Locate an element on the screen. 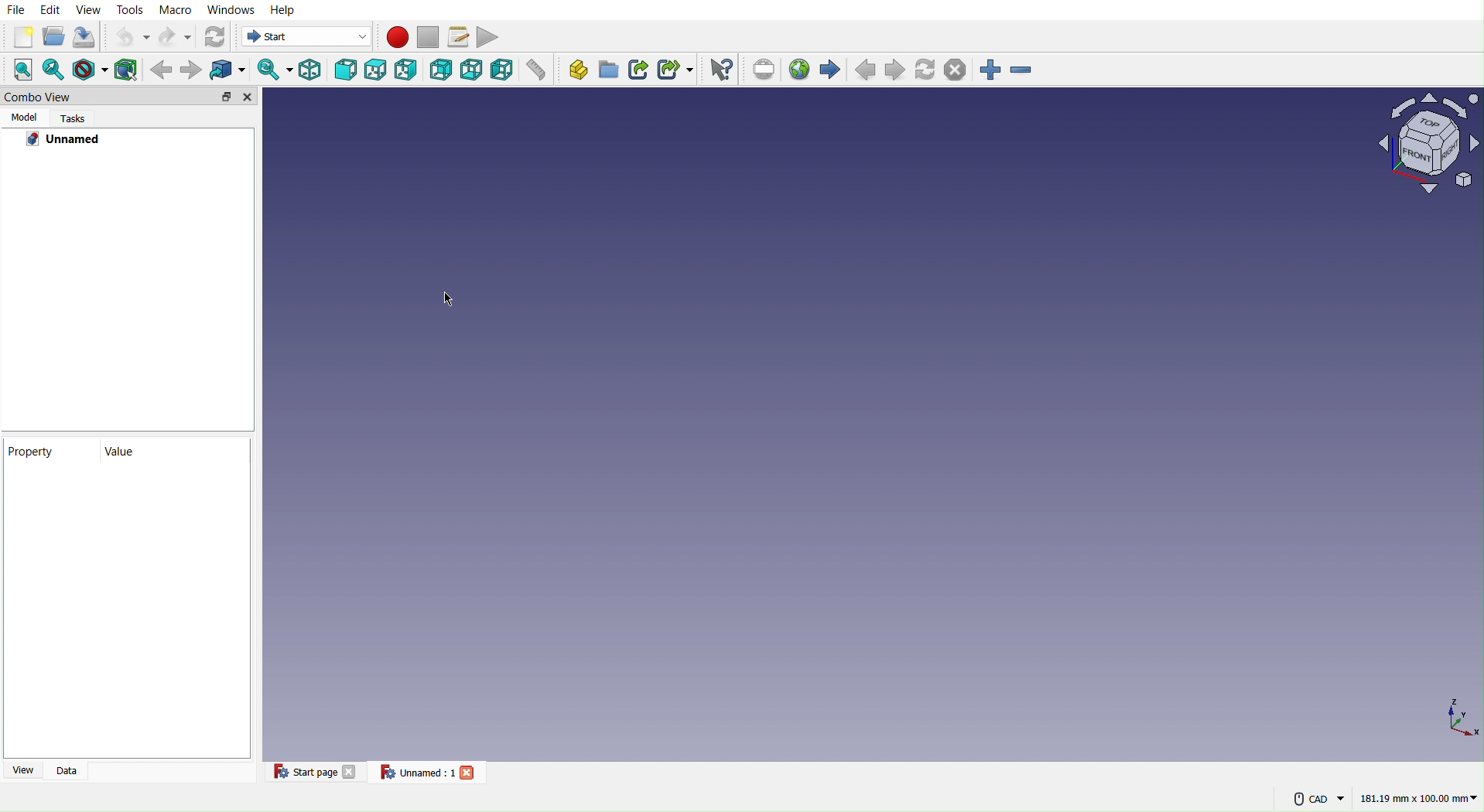 The image size is (1484, 812). Macro is located at coordinates (176, 10).